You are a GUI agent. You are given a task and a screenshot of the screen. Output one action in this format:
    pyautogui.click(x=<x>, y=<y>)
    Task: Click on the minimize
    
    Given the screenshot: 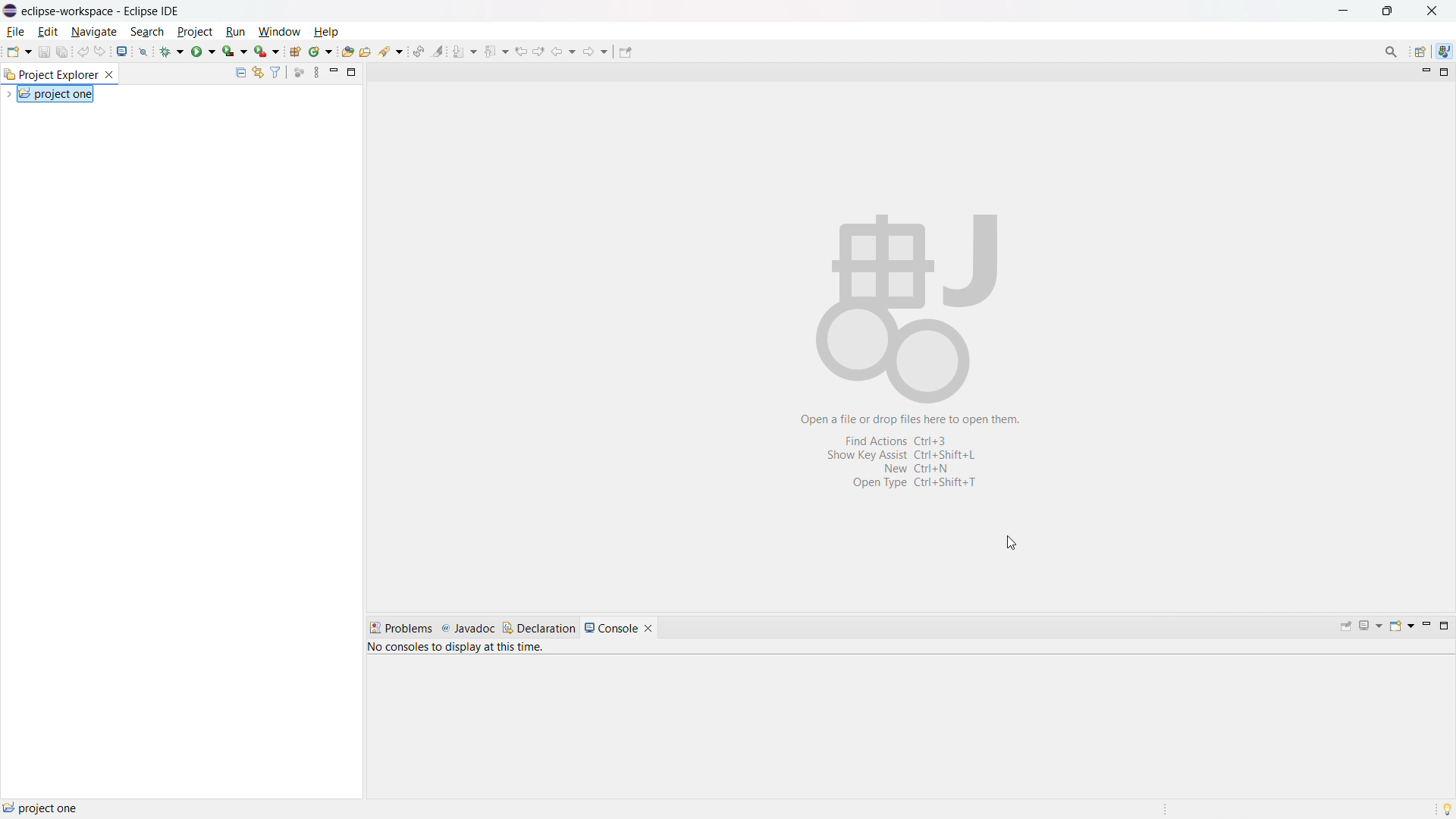 What is the action you would take?
    pyautogui.click(x=1388, y=11)
    